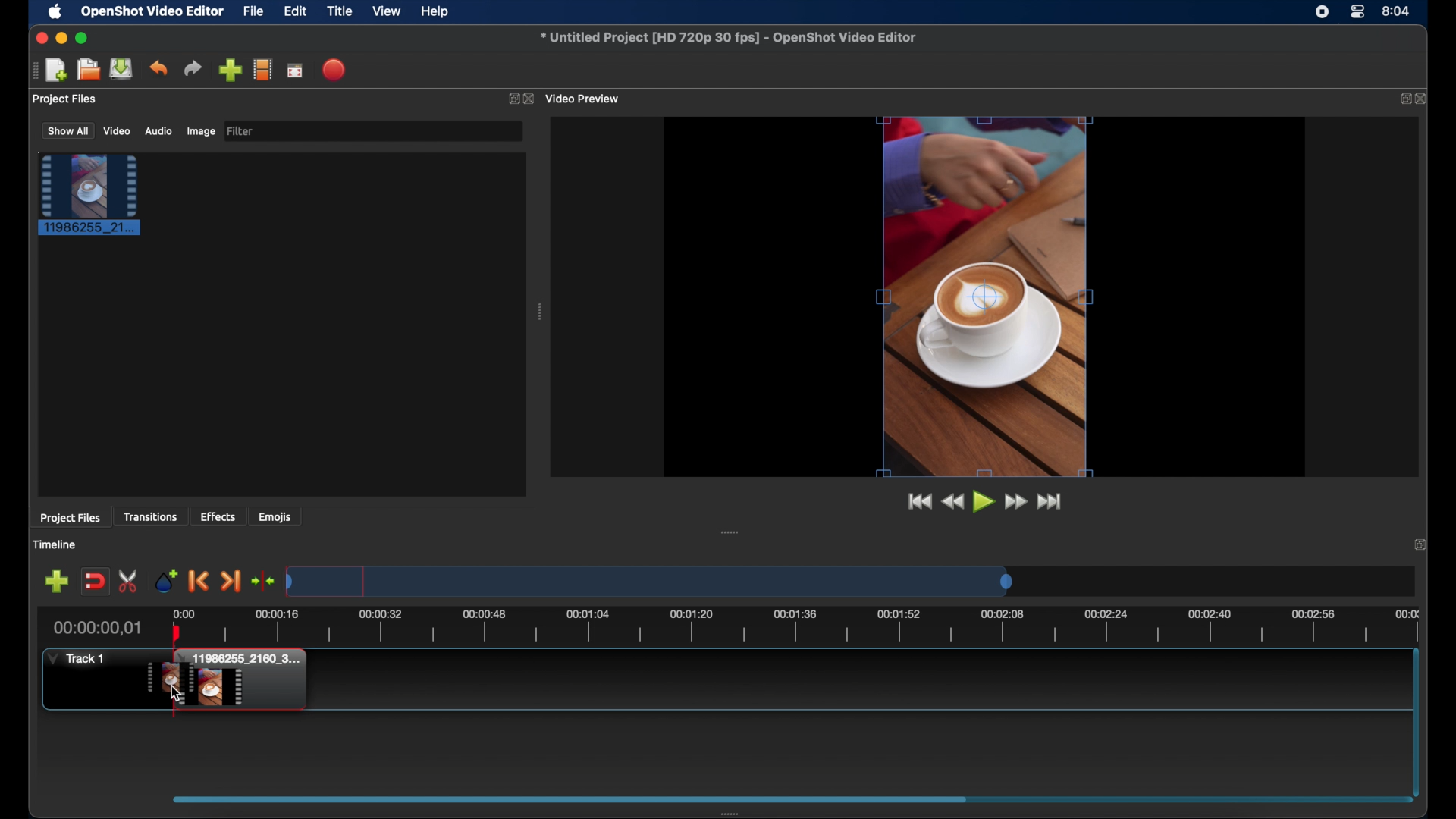 The width and height of the screenshot is (1456, 819). Describe the element at coordinates (200, 131) in the screenshot. I see `image` at that location.